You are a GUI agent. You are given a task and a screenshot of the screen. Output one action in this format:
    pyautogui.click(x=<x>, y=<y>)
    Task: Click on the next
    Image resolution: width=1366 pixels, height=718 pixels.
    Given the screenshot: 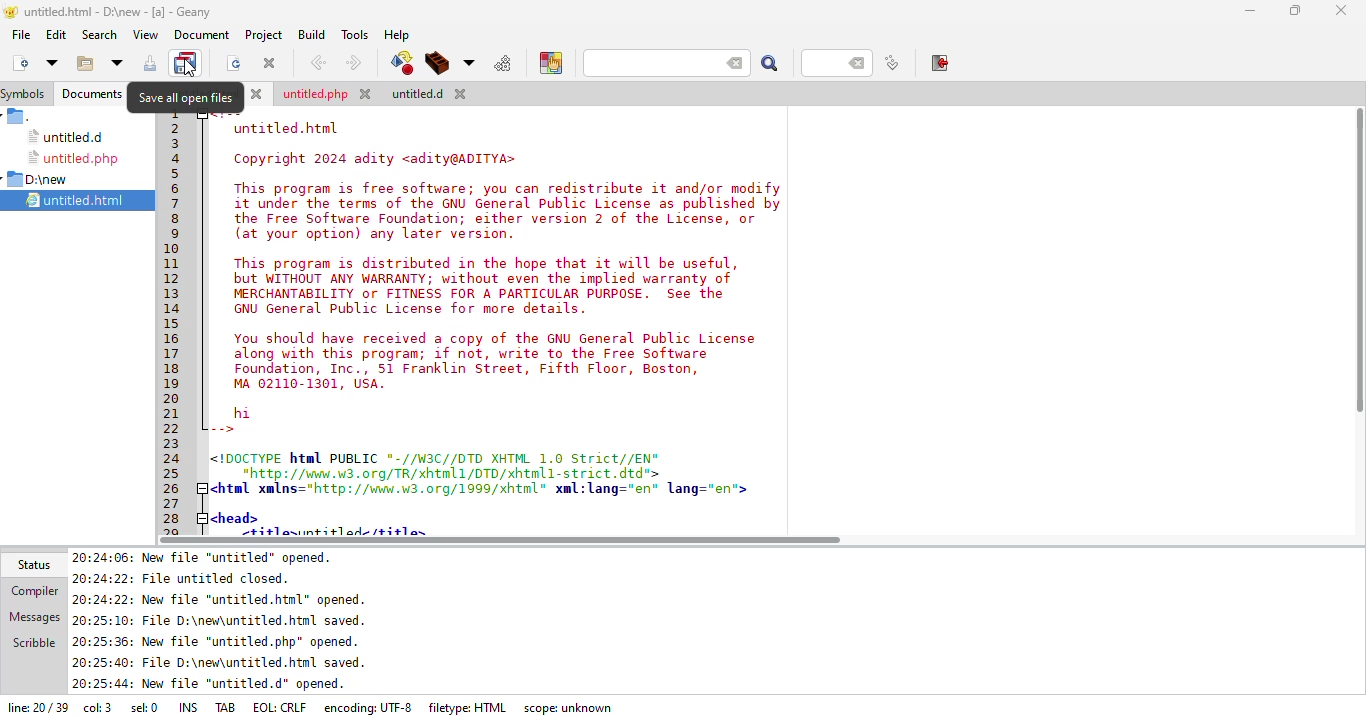 What is the action you would take?
    pyautogui.click(x=355, y=62)
    